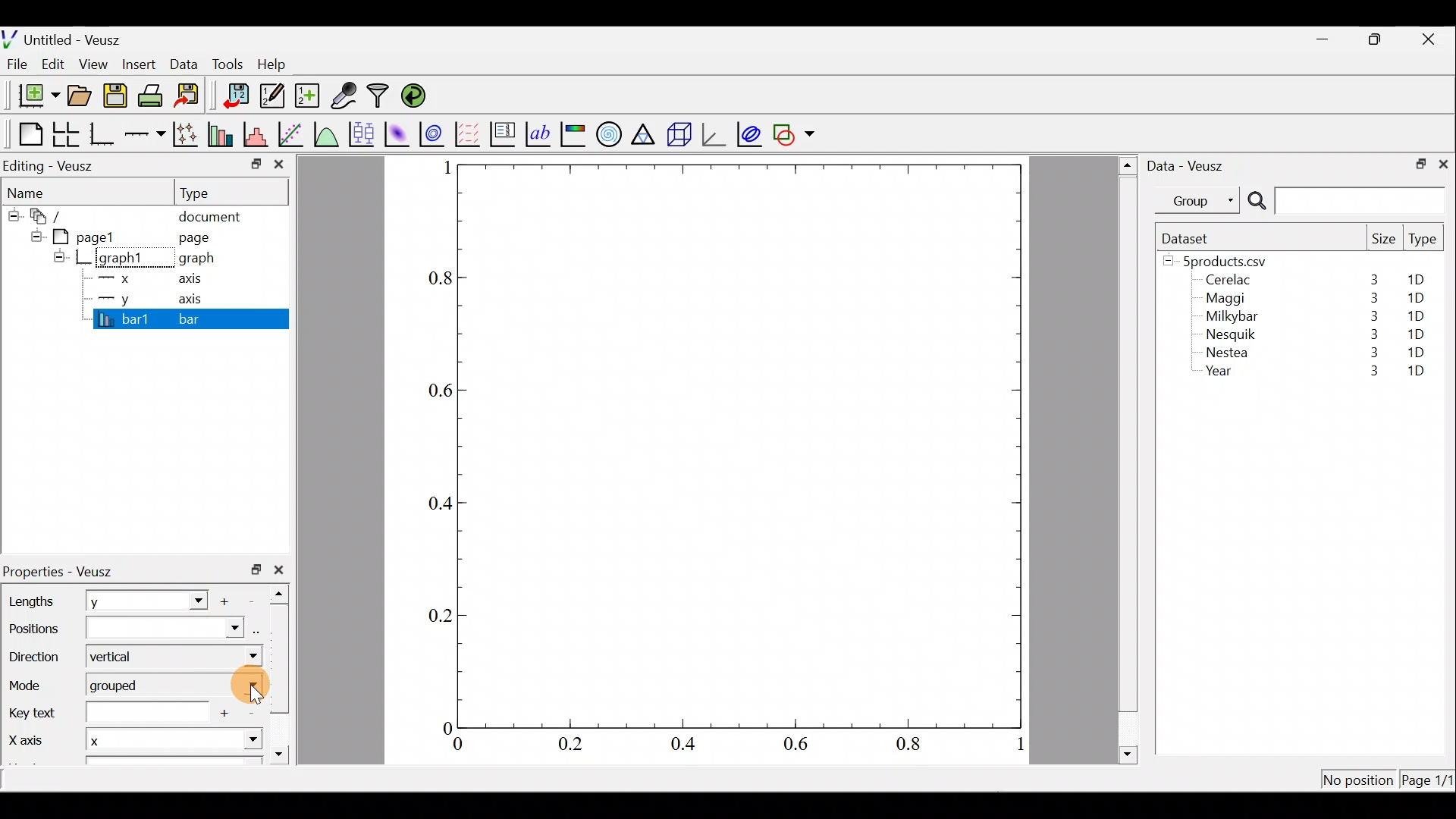 The image size is (1456, 819). Describe the element at coordinates (345, 96) in the screenshot. I see `Capture remote data` at that location.